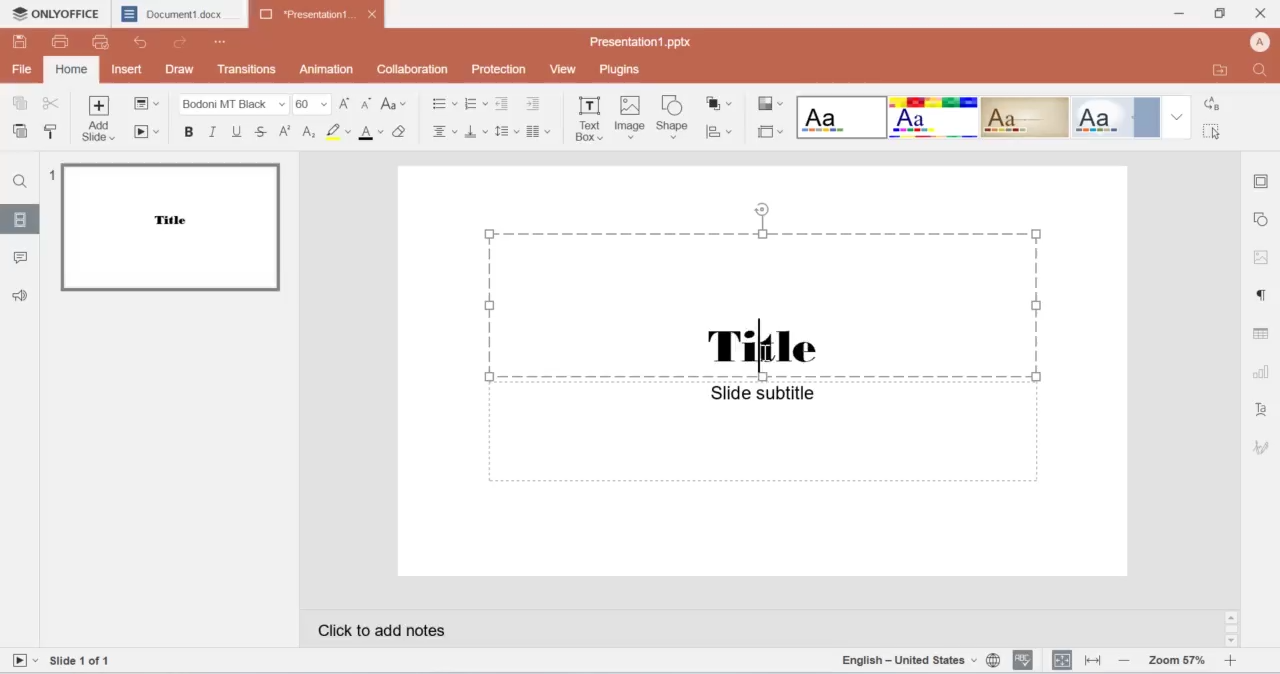 This screenshot has width=1280, height=674. What do you see at coordinates (1023, 661) in the screenshot?
I see `spell check` at bounding box center [1023, 661].